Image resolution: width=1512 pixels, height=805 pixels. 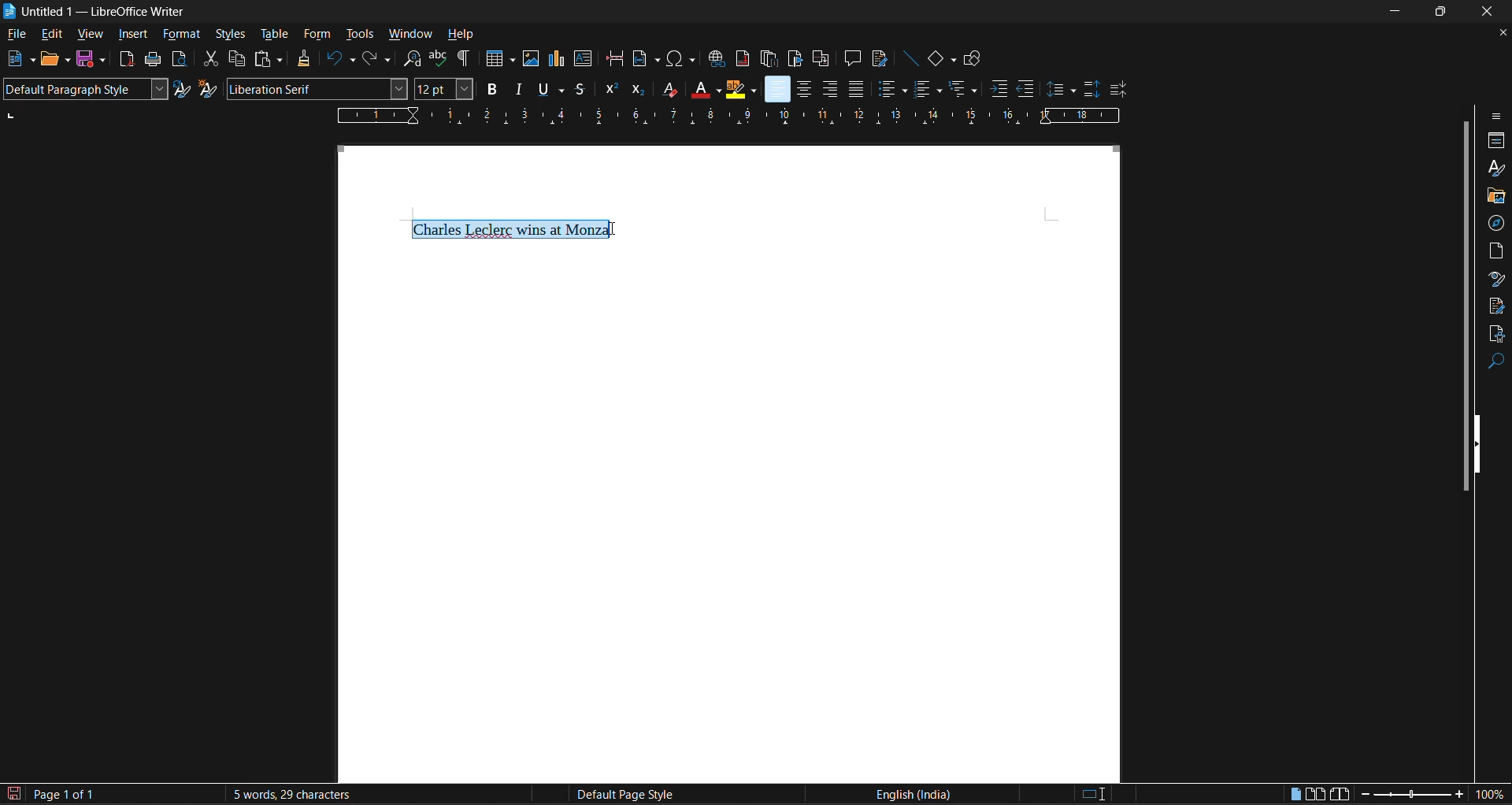 I want to click on format, so click(x=182, y=35).